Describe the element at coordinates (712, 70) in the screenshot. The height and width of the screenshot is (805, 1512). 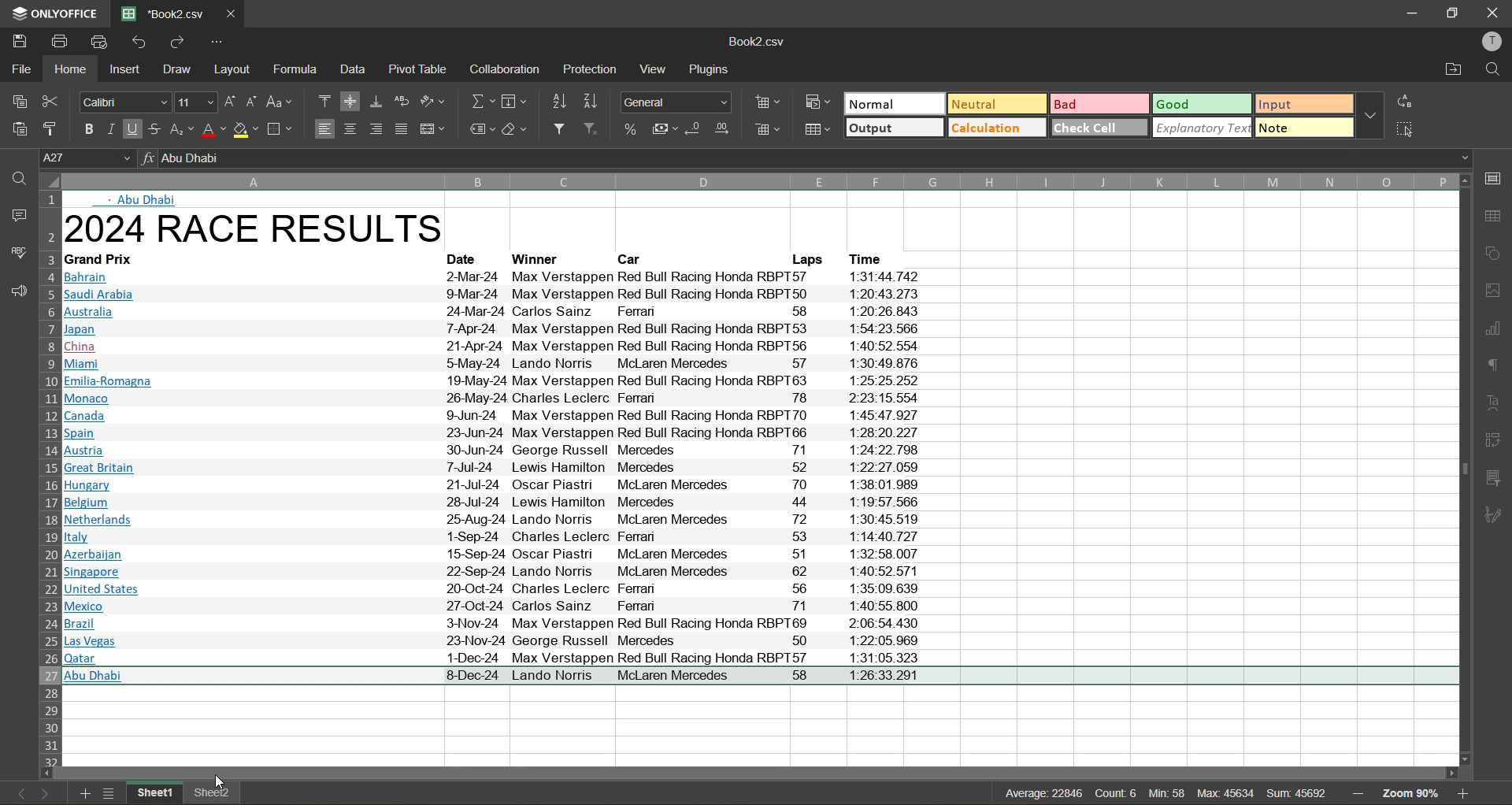
I see `plugins` at that location.